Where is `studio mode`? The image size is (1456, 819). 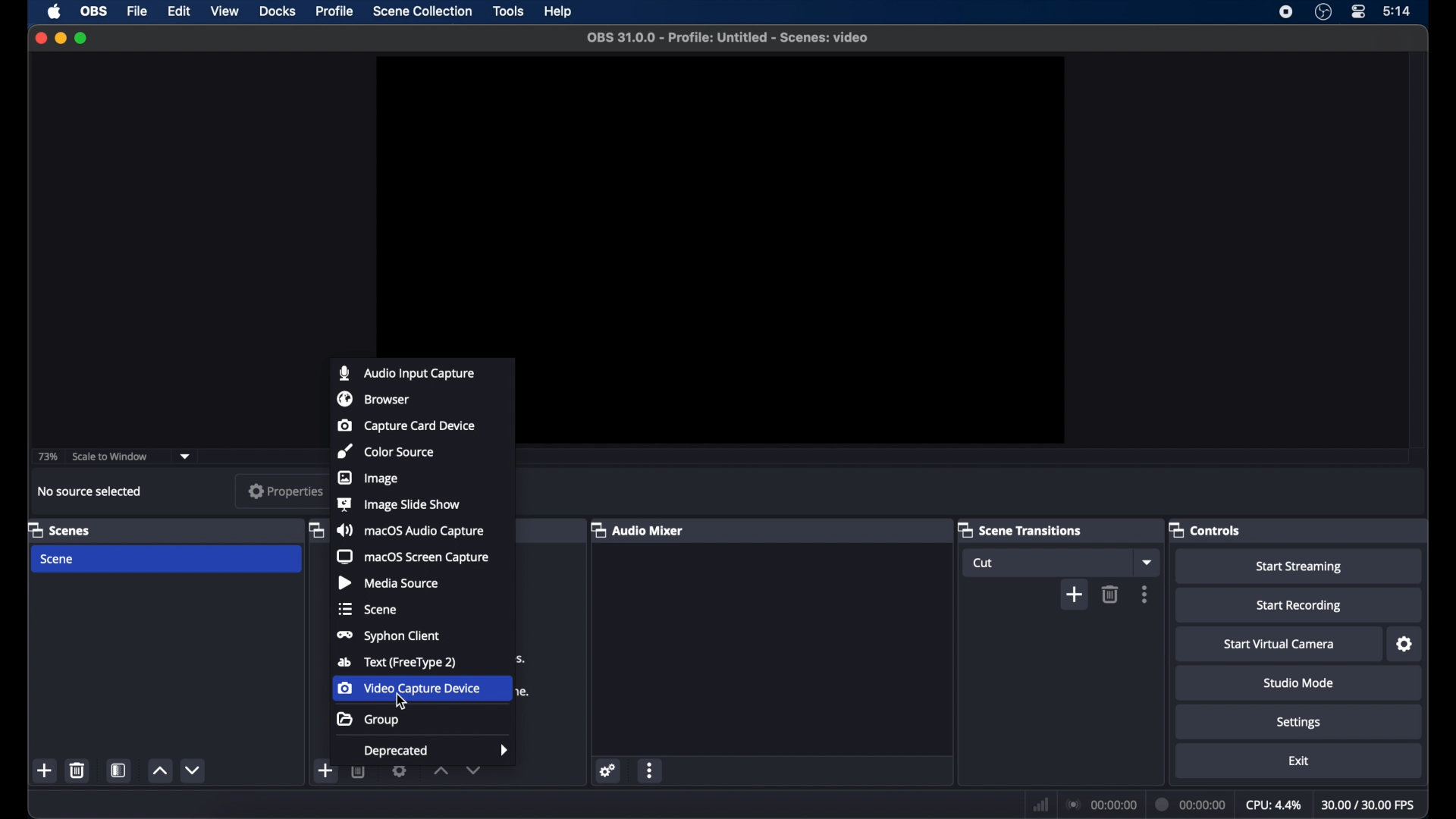 studio mode is located at coordinates (1300, 683).